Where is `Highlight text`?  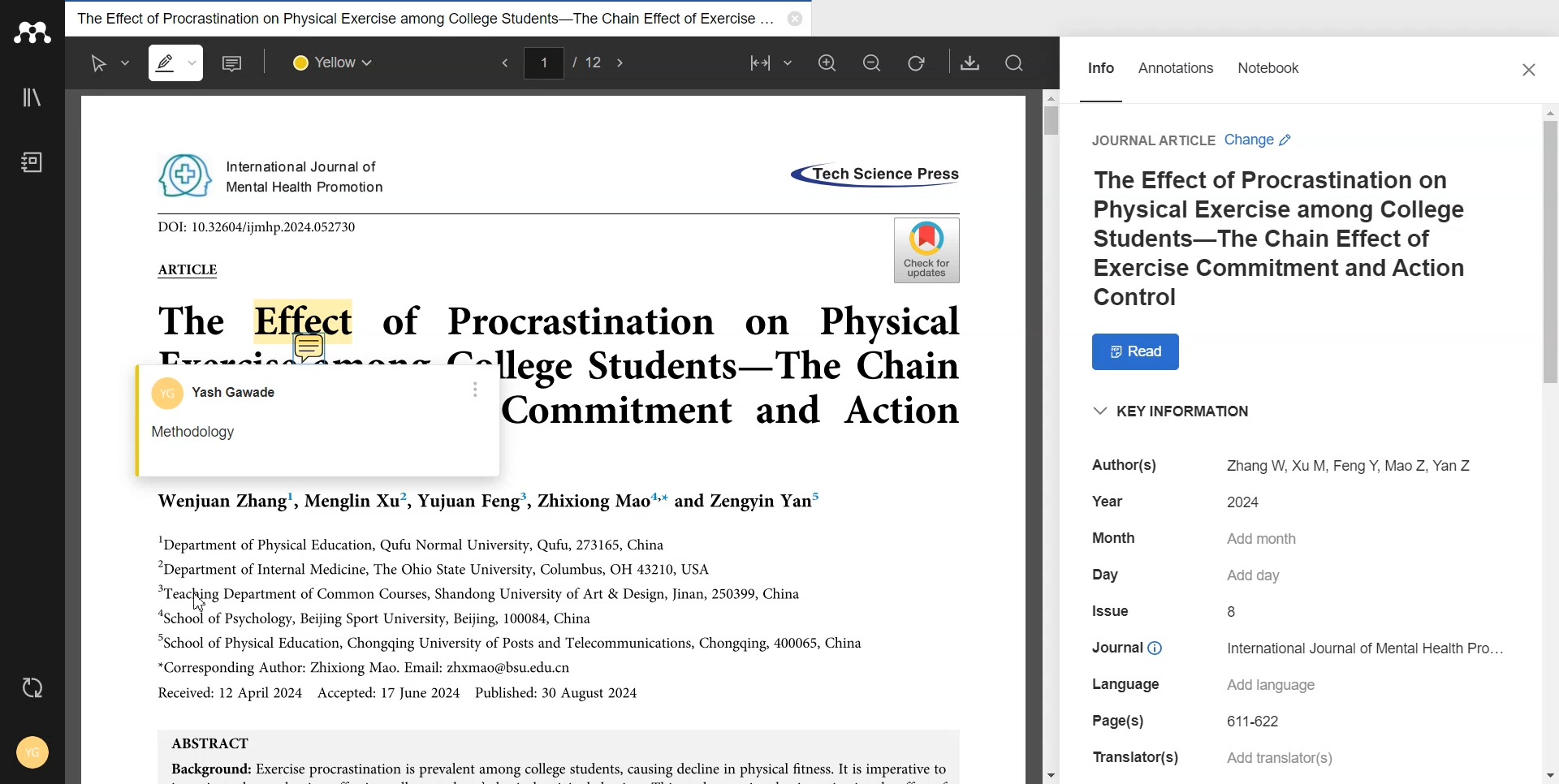 Highlight text is located at coordinates (177, 62).